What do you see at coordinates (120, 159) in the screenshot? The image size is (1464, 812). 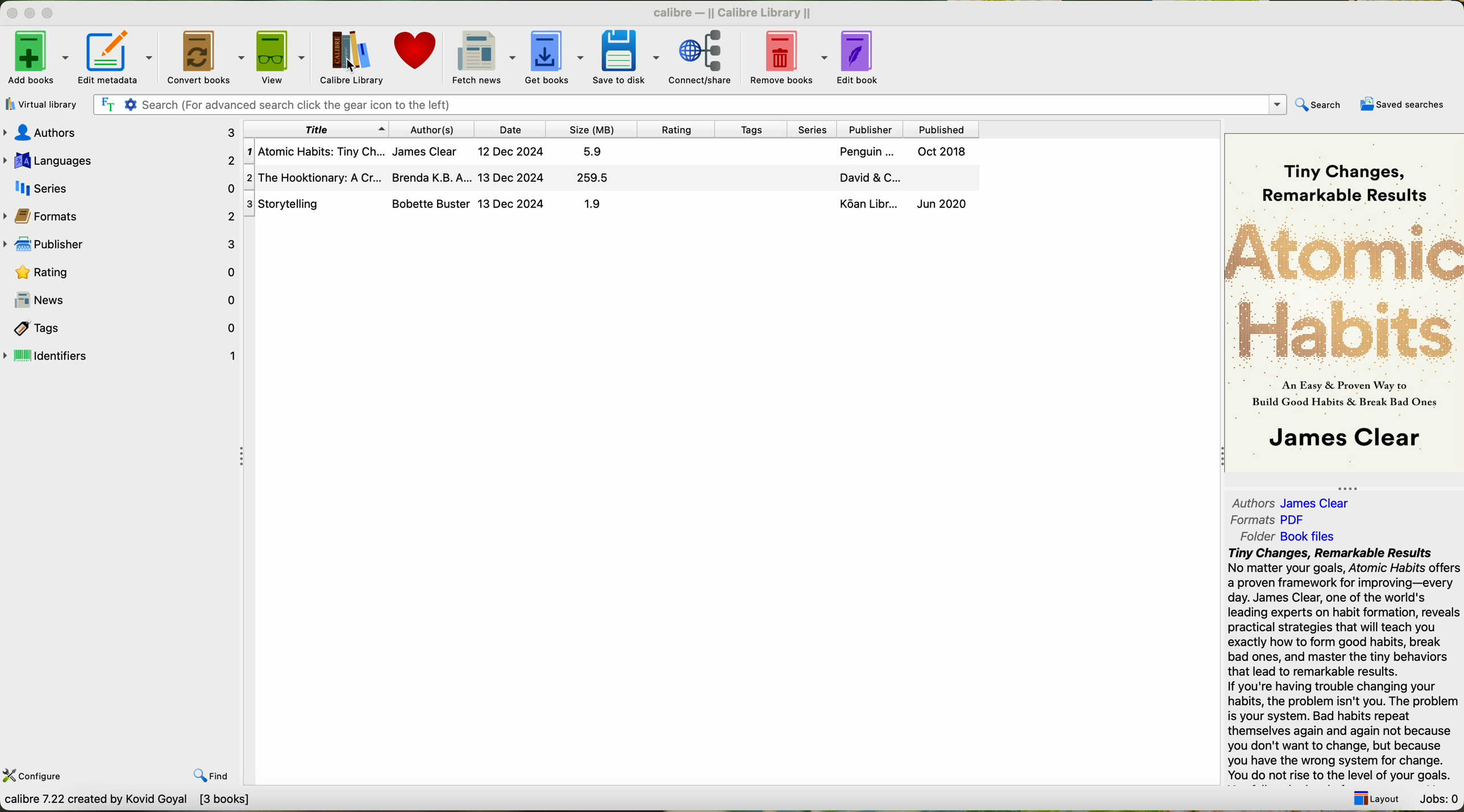 I see `languages` at bounding box center [120, 159].